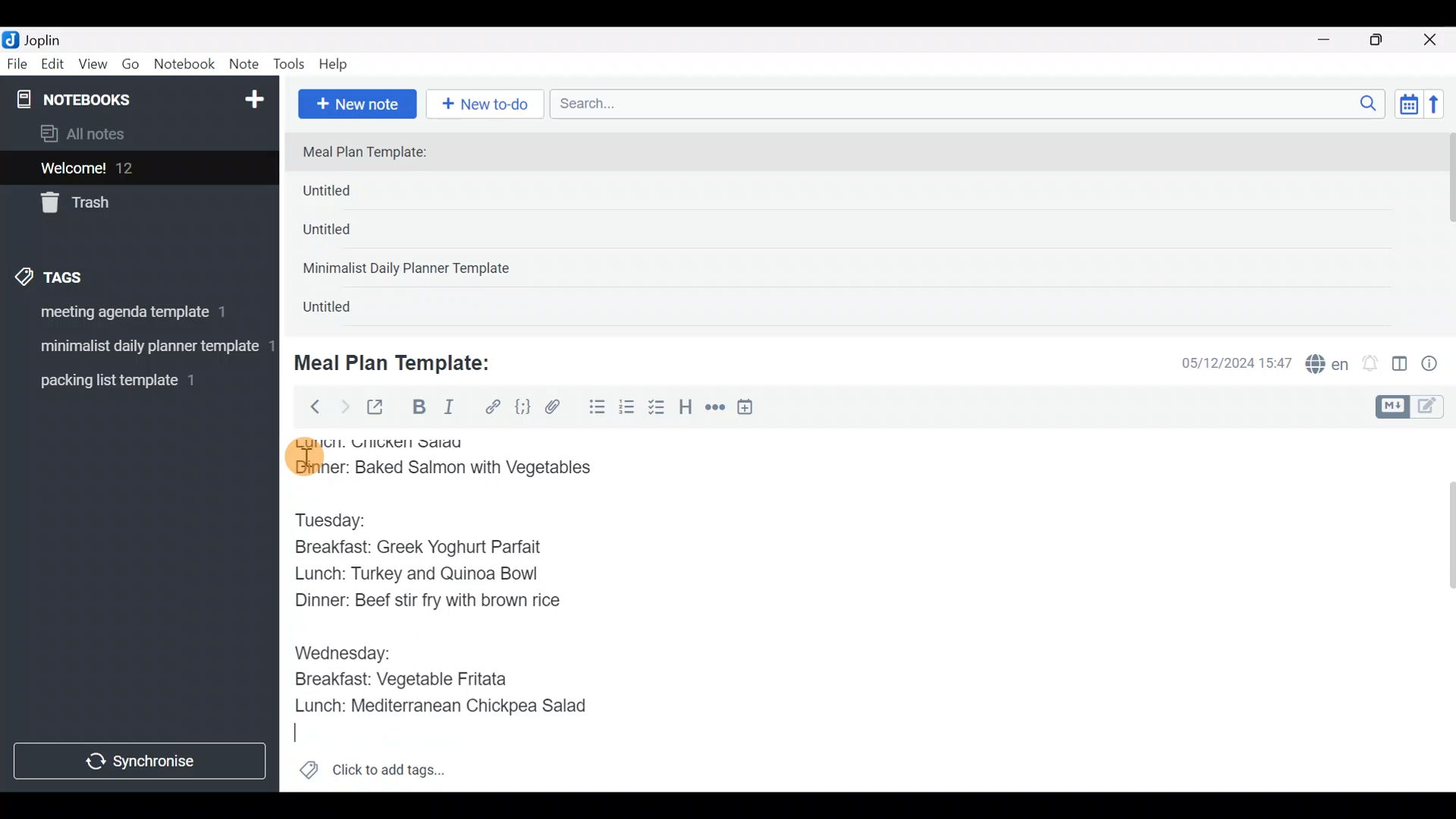 This screenshot has height=819, width=1456. What do you see at coordinates (451, 705) in the screenshot?
I see `Lunch: Mediterranean Chickpea Salad` at bounding box center [451, 705].